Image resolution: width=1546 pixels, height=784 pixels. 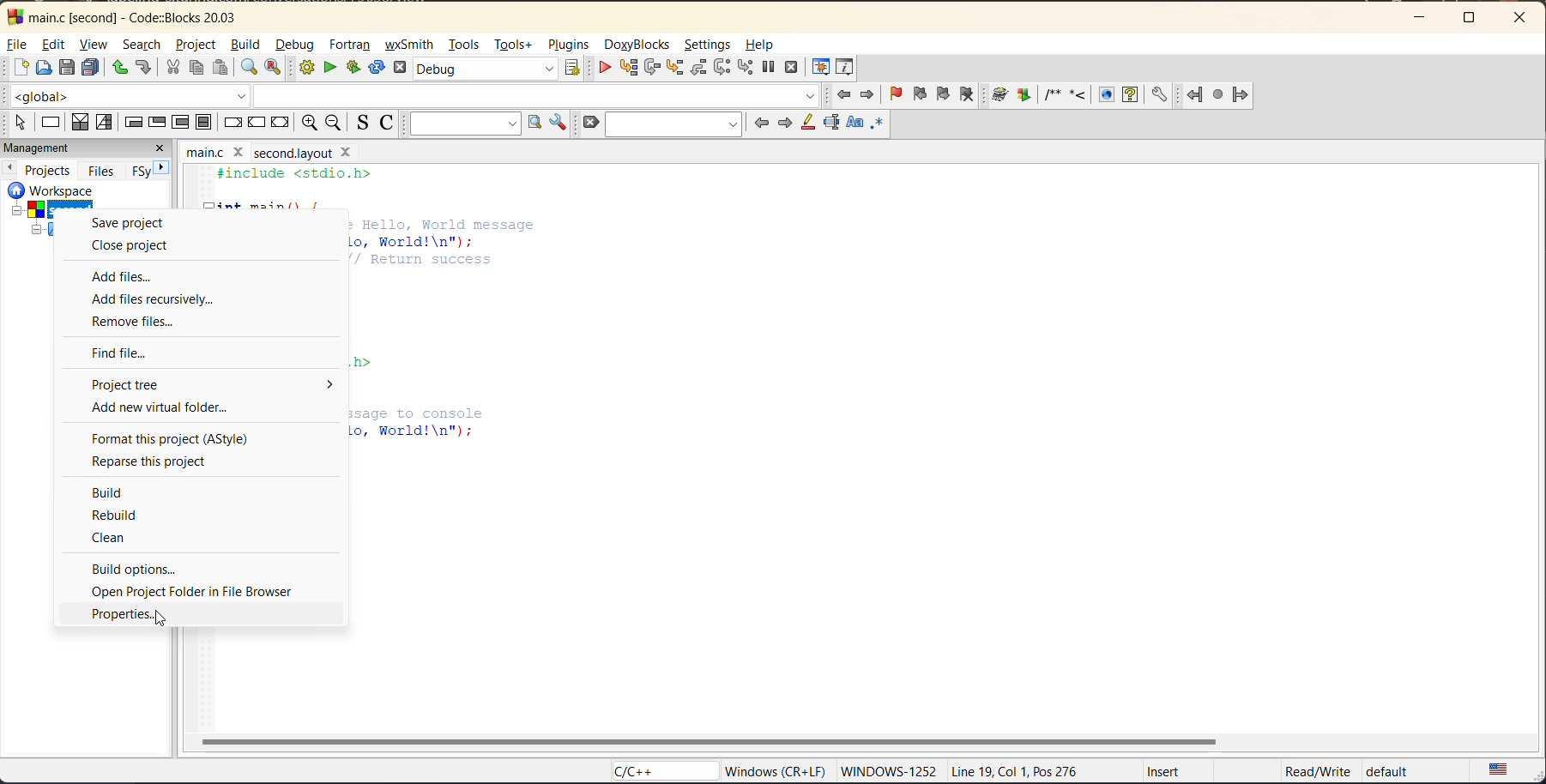 What do you see at coordinates (141, 323) in the screenshot?
I see `remove files` at bounding box center [141, 323].